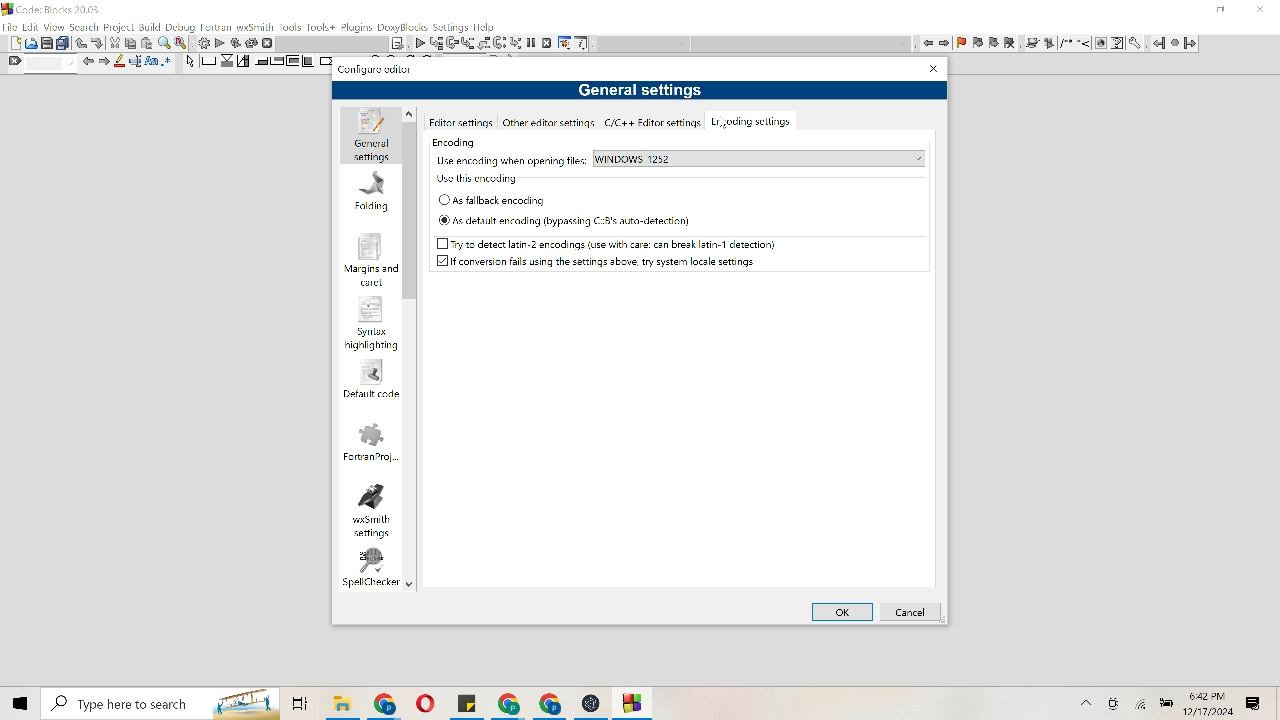 Image resolution: width=1280 pixels, height=720 pixels. What do you see at coordinates (424, 703) in the screenshot?
I see `File` at bounding box center [424, 703].